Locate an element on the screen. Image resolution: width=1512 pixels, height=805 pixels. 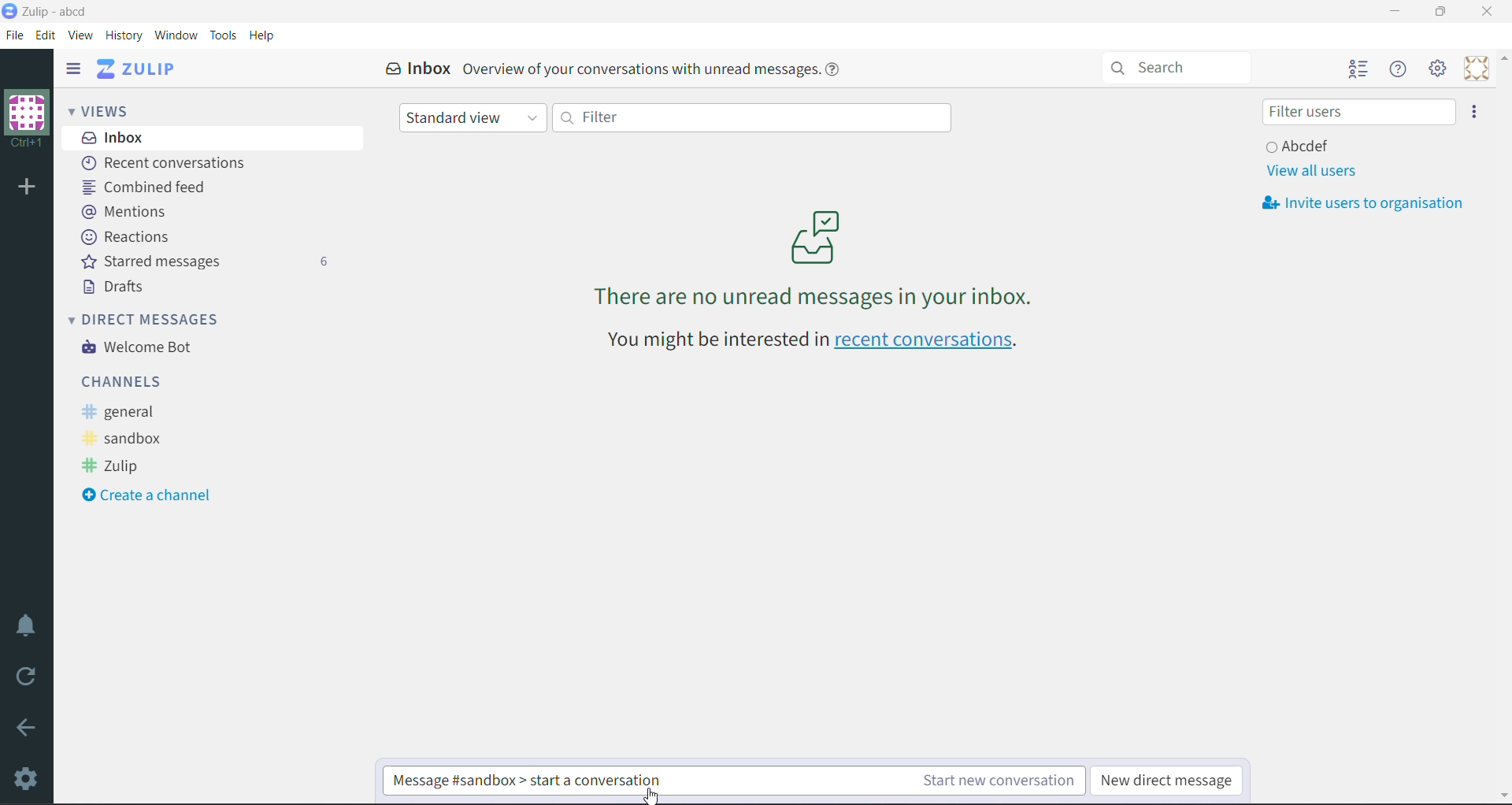
Application Logo is located at coordinates (9, 9).